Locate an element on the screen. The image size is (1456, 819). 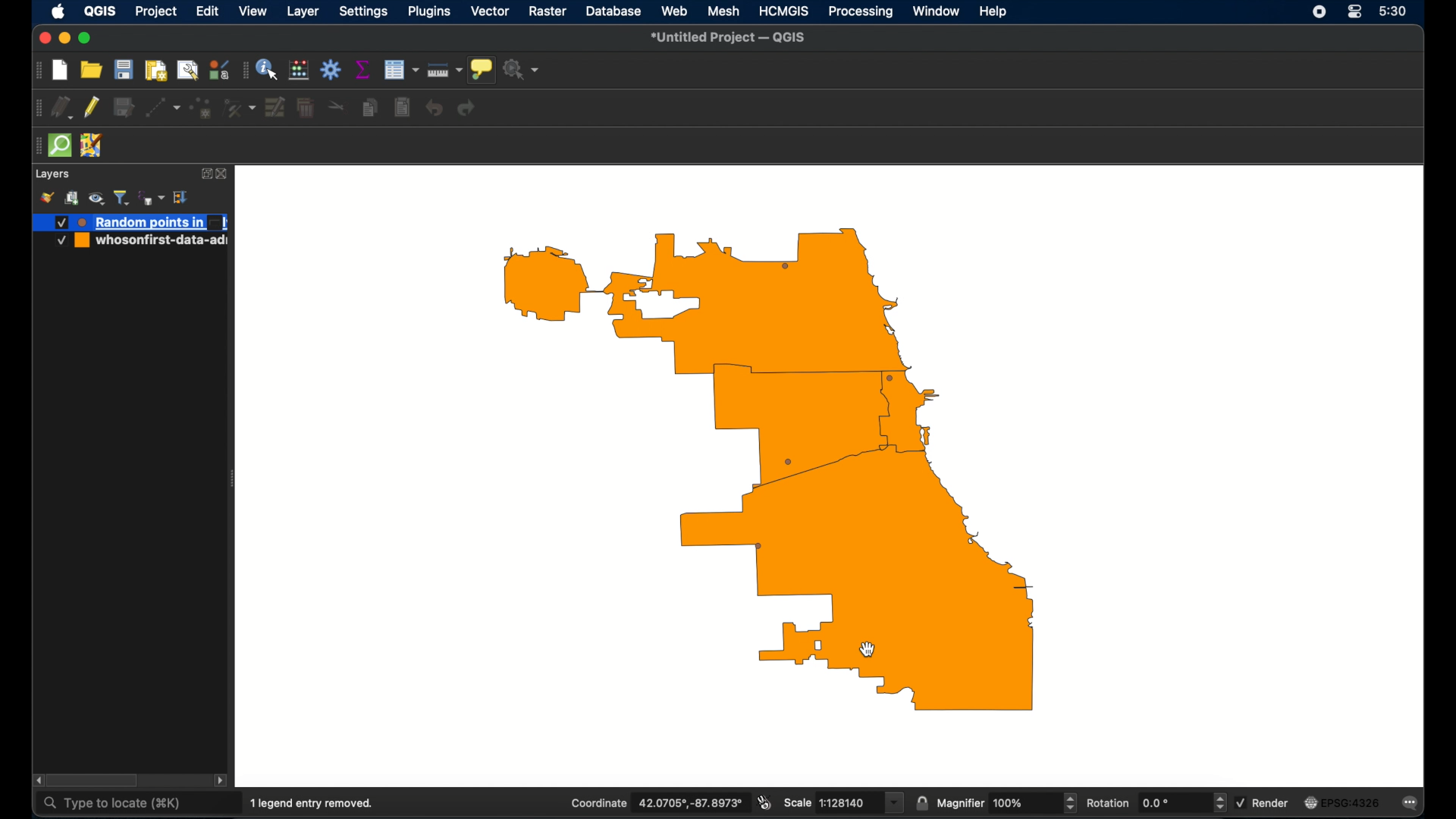
layers is located at coordinates (52, 174).